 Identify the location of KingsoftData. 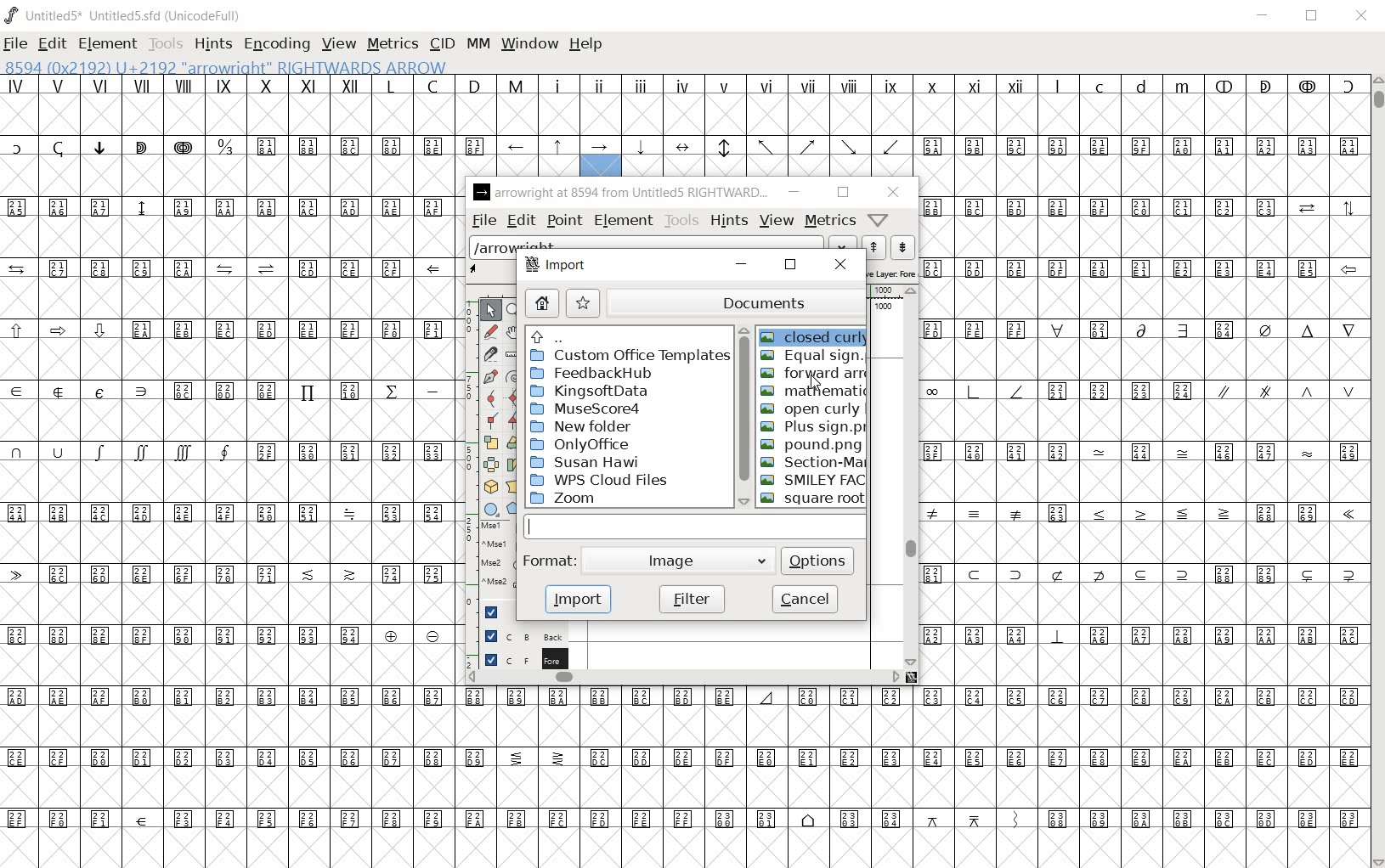
(593, 392).